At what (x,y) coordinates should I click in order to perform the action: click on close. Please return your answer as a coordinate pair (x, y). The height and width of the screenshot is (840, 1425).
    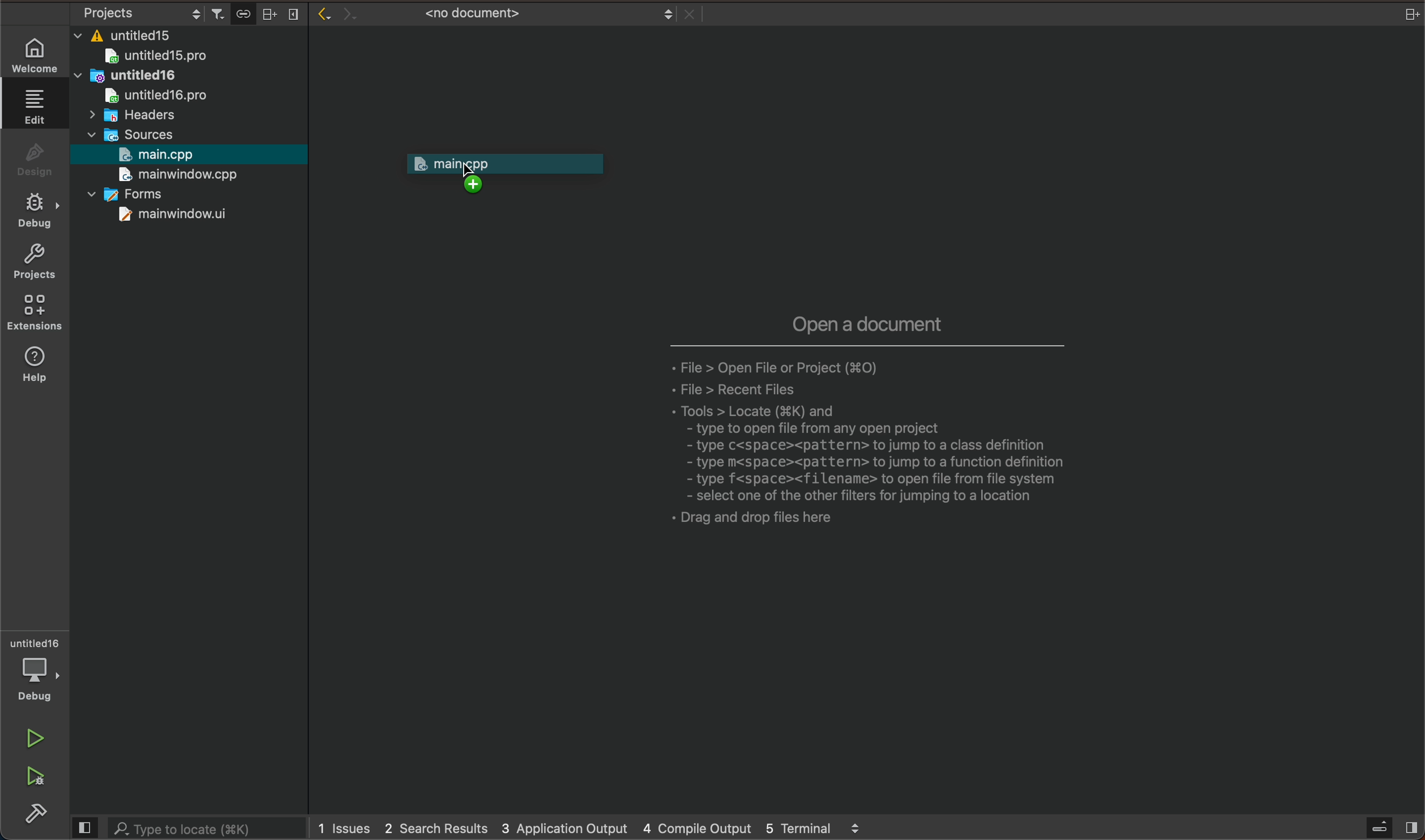
    Looking at the image, I should click on (1409, 14).